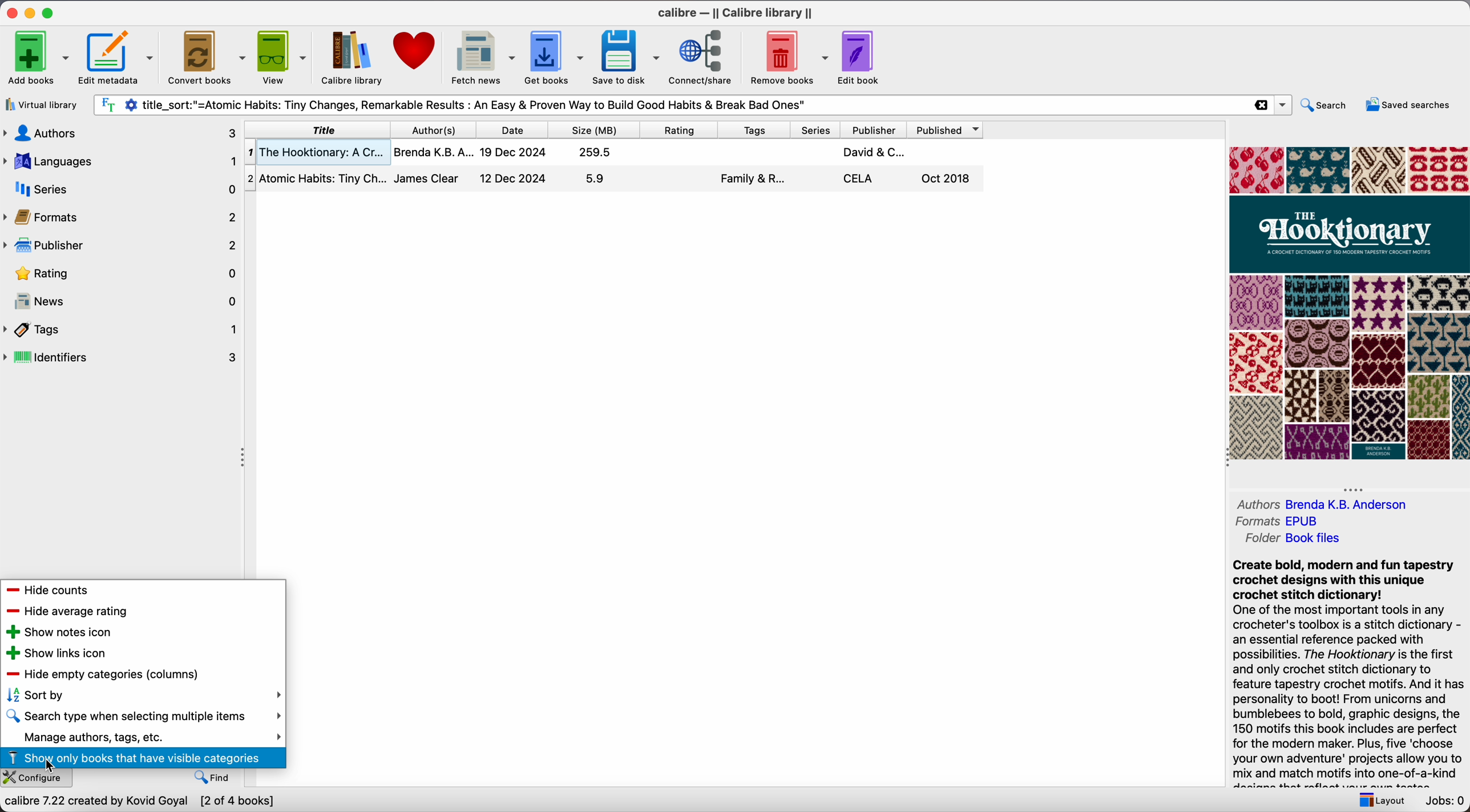 This screenshot has height=812, width=1470. What do you see at coordinates (55, 652) in the screenshot?
I see `show link icon` at bounding box center [55, 652].